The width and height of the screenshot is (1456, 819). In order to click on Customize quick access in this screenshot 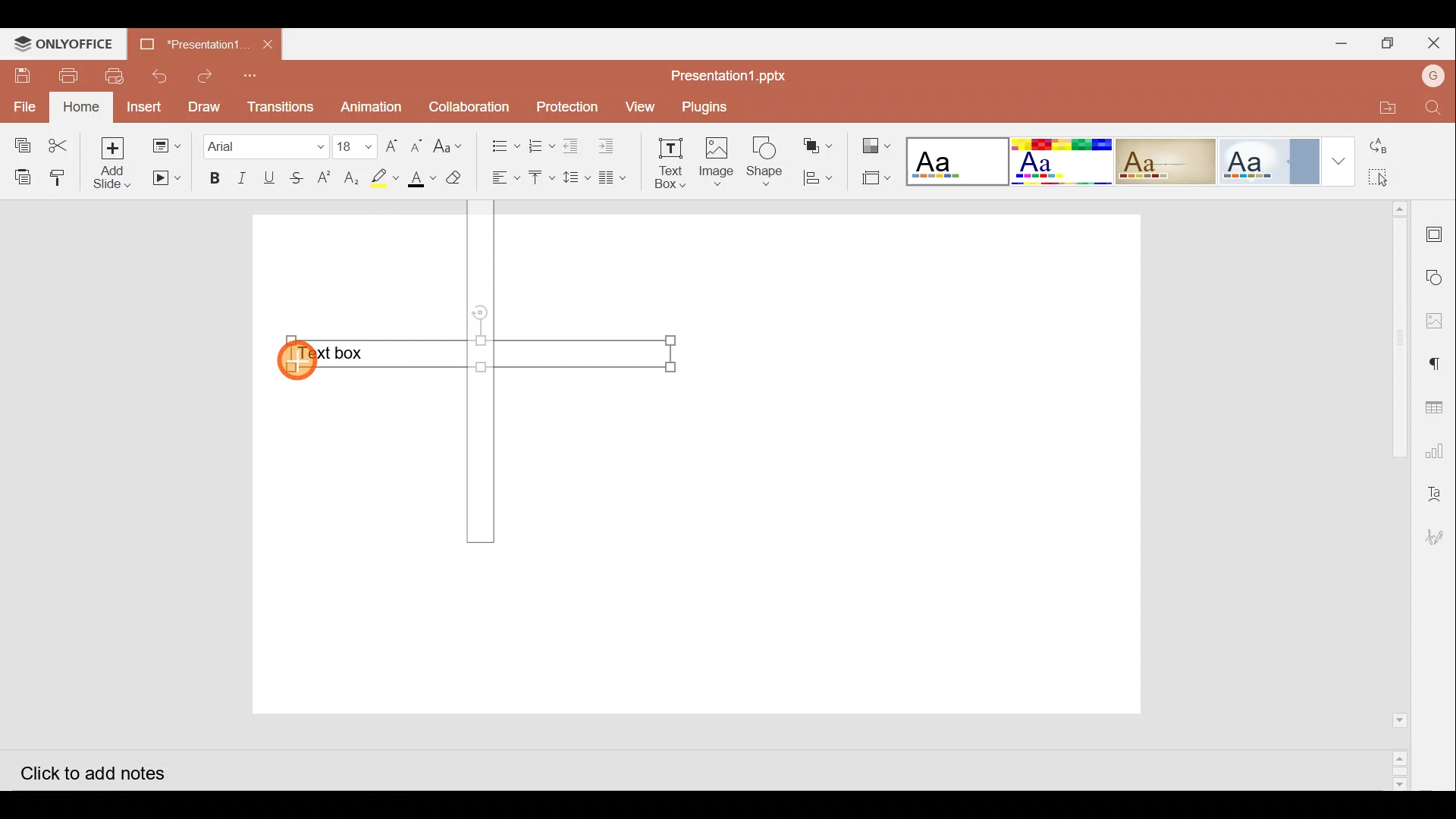, I will do `click(255, 75)`.